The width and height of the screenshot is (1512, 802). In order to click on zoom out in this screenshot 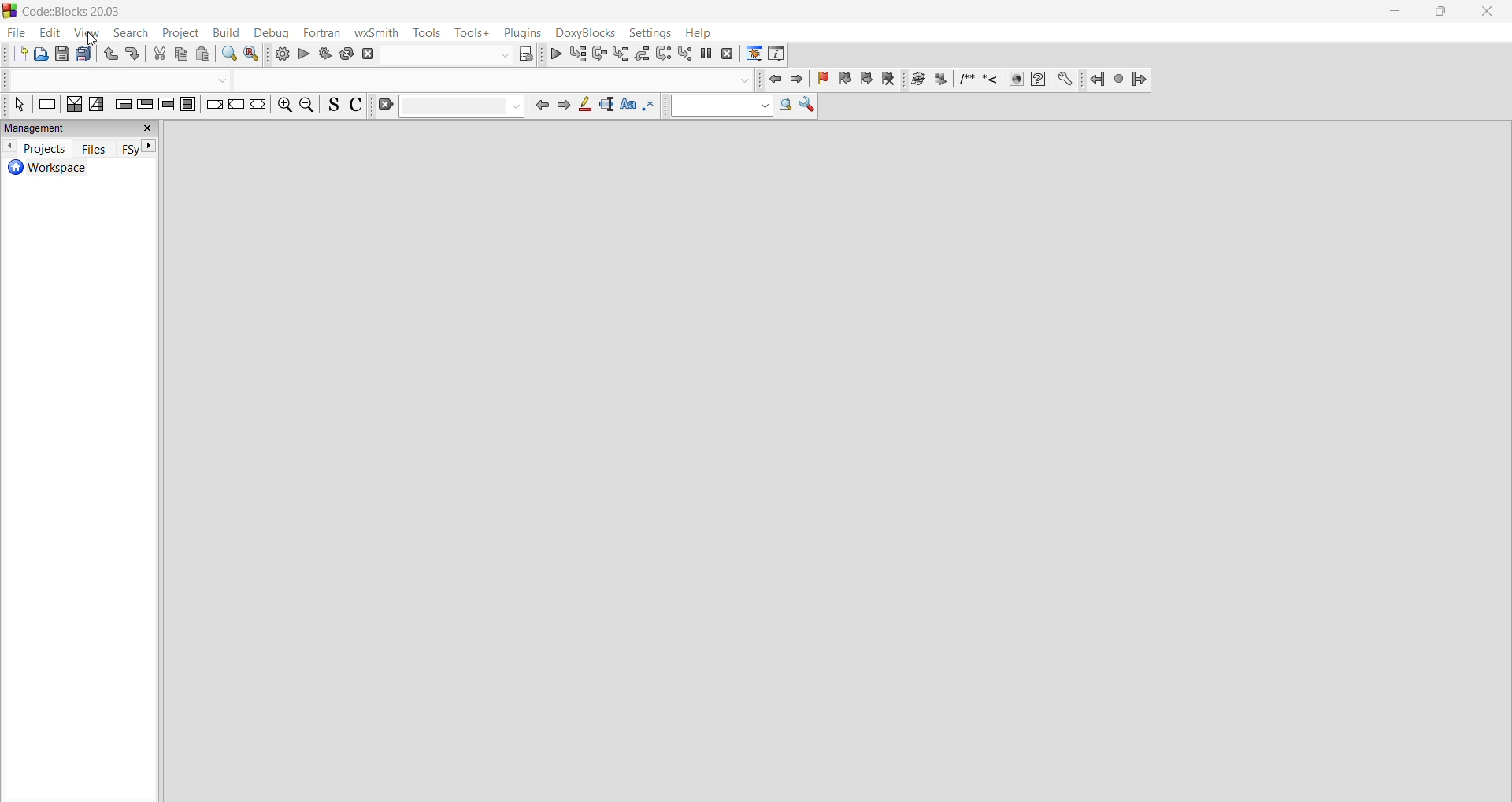, I will do `click(309, 106)`.